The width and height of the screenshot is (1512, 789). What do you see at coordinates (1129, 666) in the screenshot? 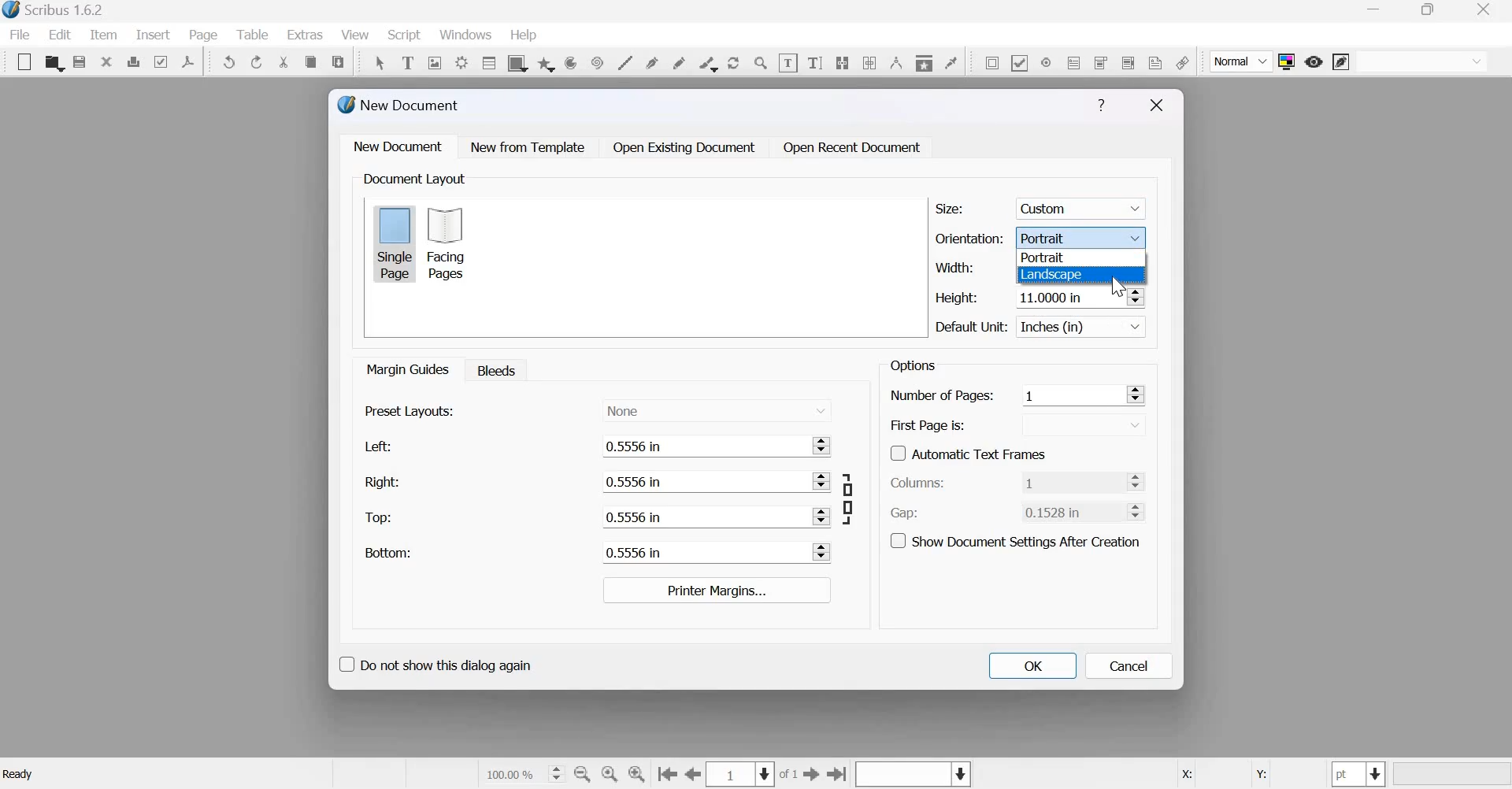
I see `Cancel` at bounding box center [1129, 666].